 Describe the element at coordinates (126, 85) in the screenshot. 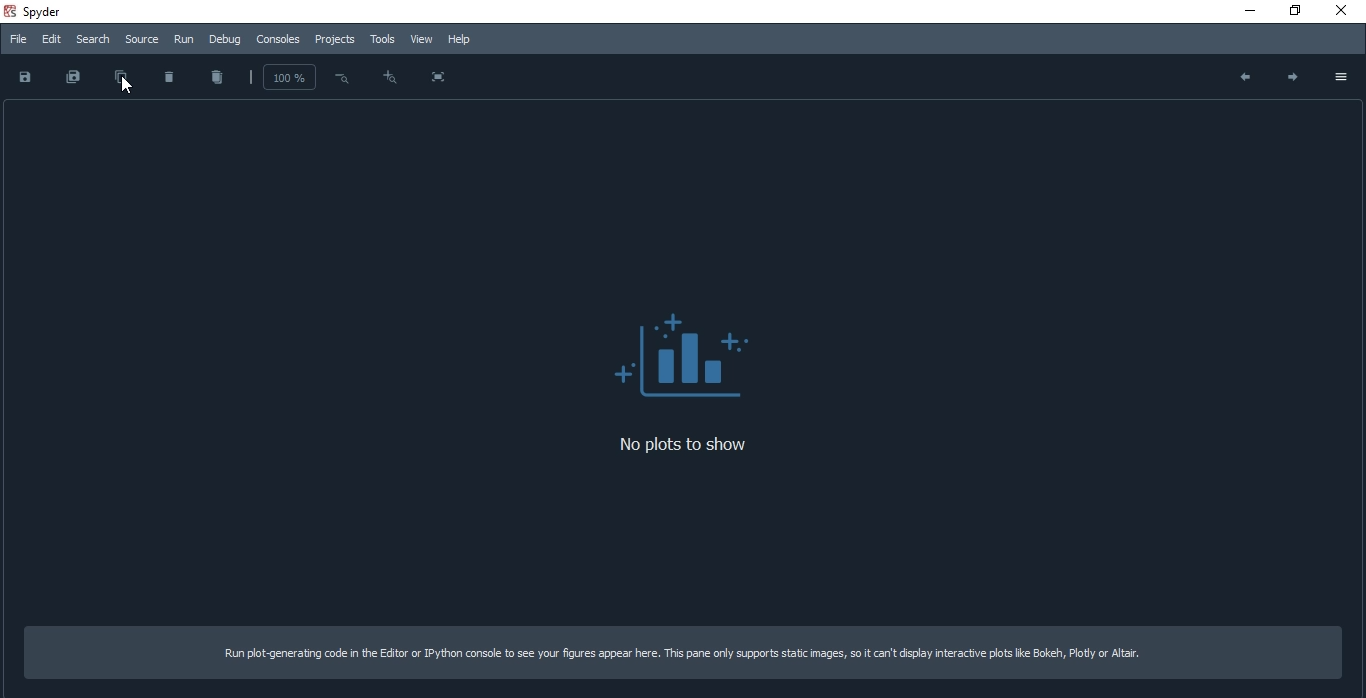

I see `cursor` at that location.